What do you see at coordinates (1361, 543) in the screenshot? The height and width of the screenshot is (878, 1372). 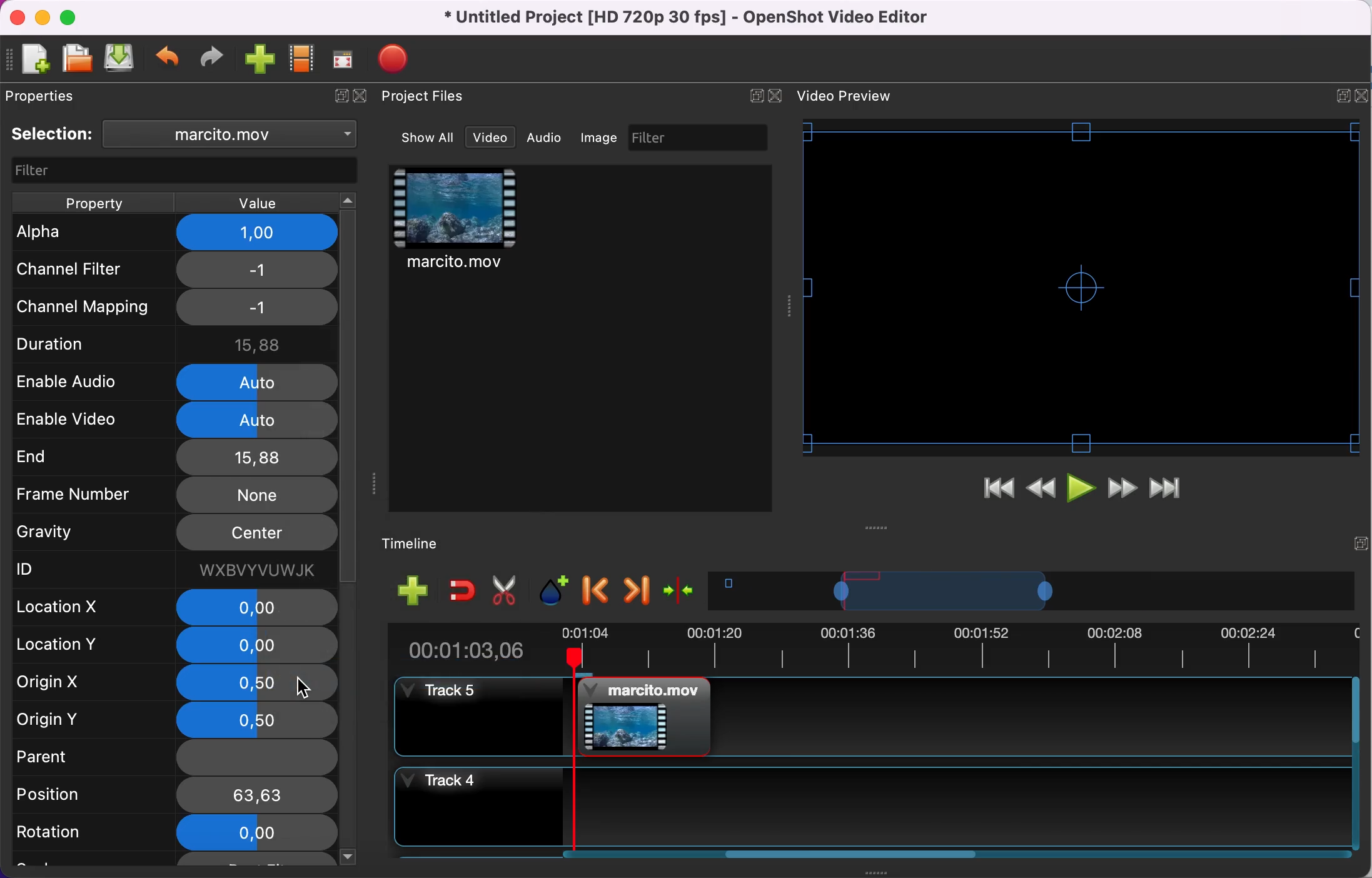 I see `Expand/Collapse` at bounding box center [1361, 543].